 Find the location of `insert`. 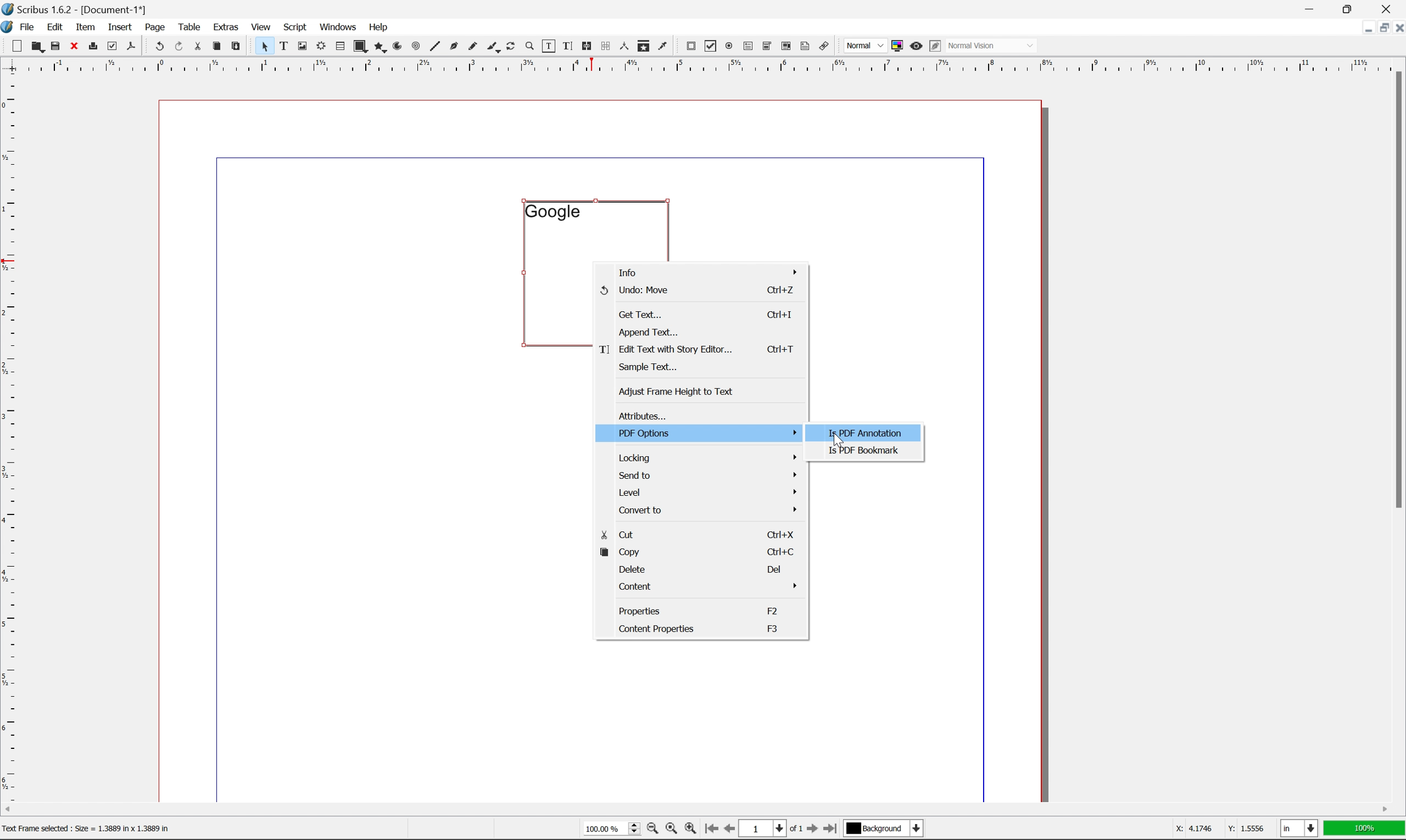

insert is located at coordinates (120, 26).